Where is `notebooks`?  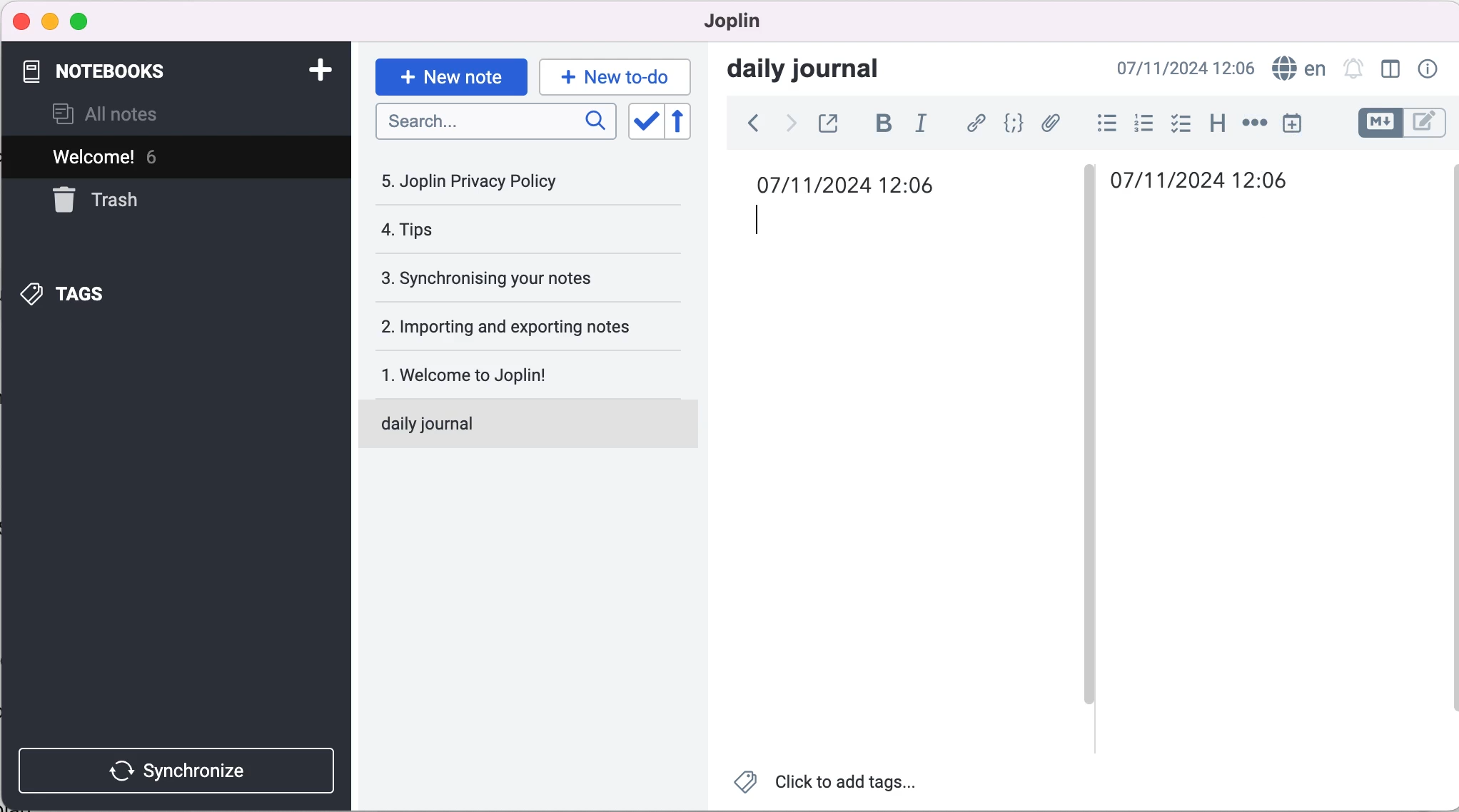 notebooks is located at coordinates (106, 72).